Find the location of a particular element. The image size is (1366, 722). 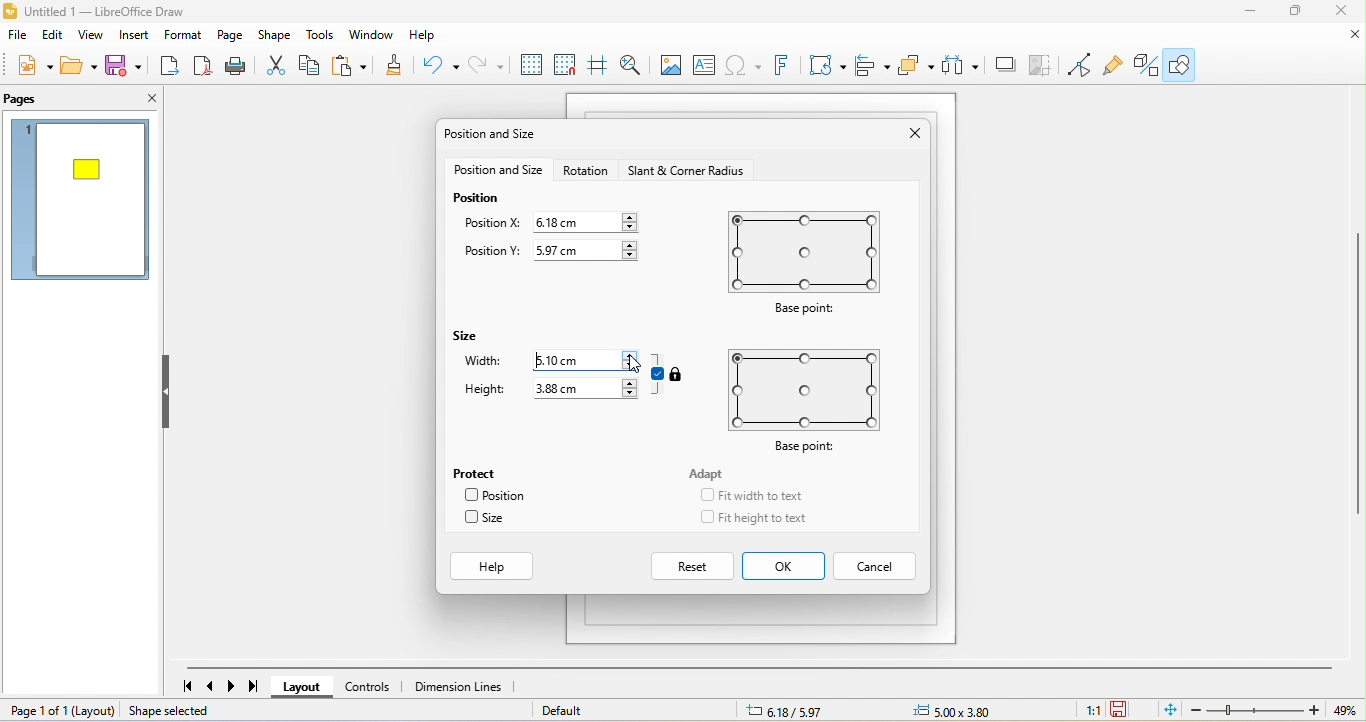

ok is located at coordinates (786, 566).